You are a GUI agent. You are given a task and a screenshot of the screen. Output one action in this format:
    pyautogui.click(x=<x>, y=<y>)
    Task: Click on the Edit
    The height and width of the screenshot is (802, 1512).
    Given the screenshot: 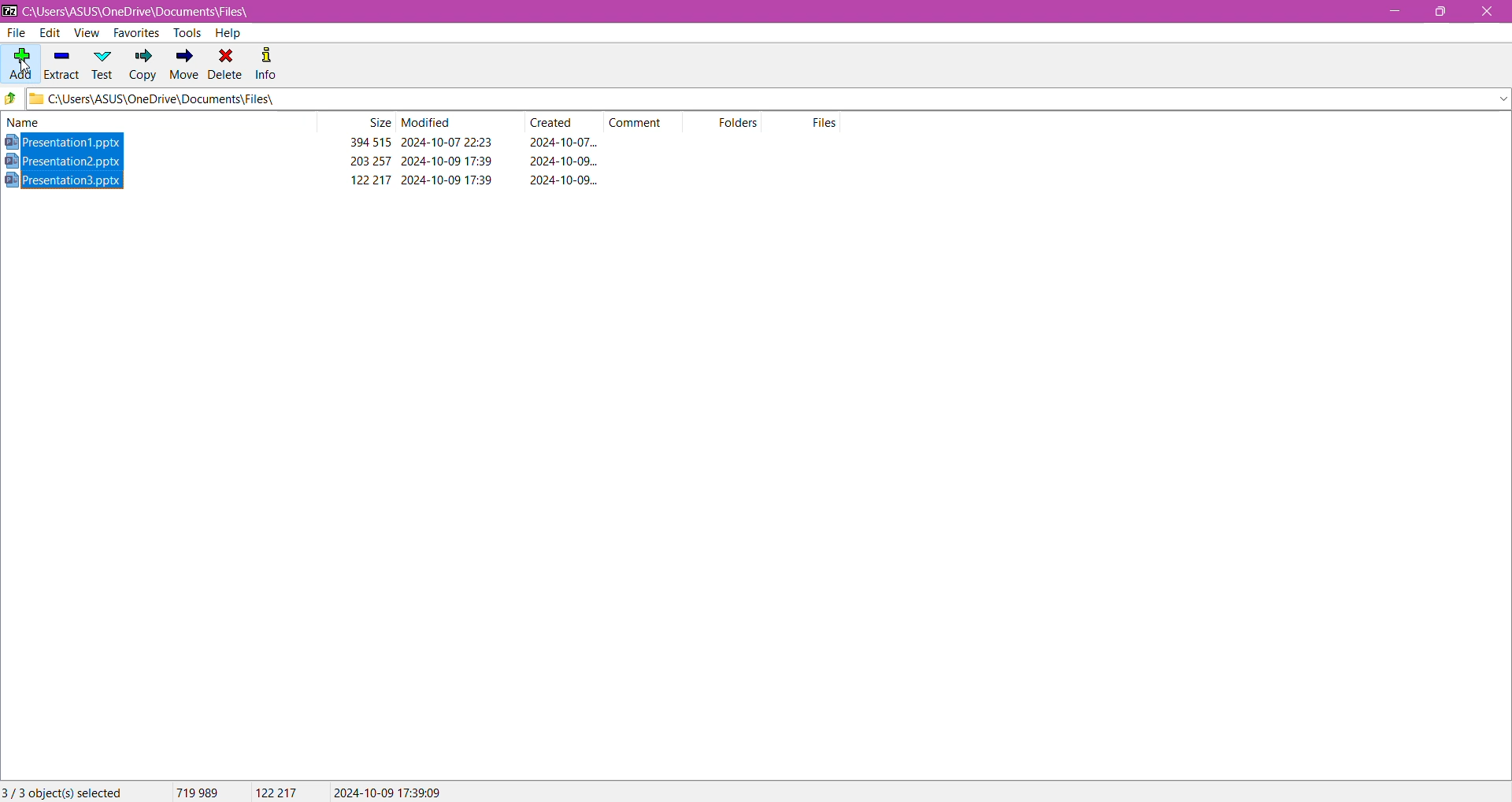 What is the action you would take?
    pyautogui.click(x=49, y=33)
    